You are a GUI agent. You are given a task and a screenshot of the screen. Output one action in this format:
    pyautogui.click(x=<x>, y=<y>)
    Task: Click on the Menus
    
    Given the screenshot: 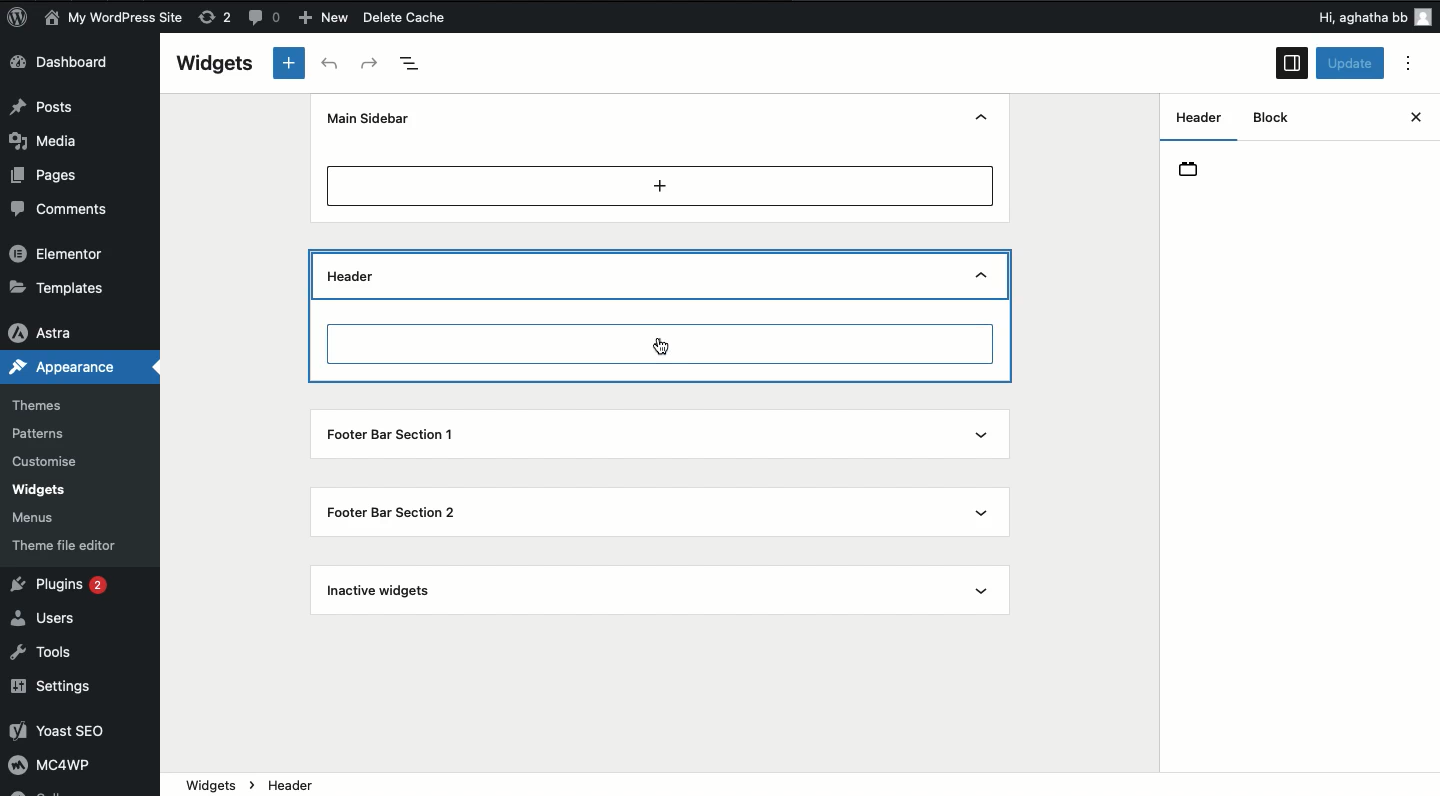 What is the action you would take?
    pyautogui.click(x=44, y=515)
    